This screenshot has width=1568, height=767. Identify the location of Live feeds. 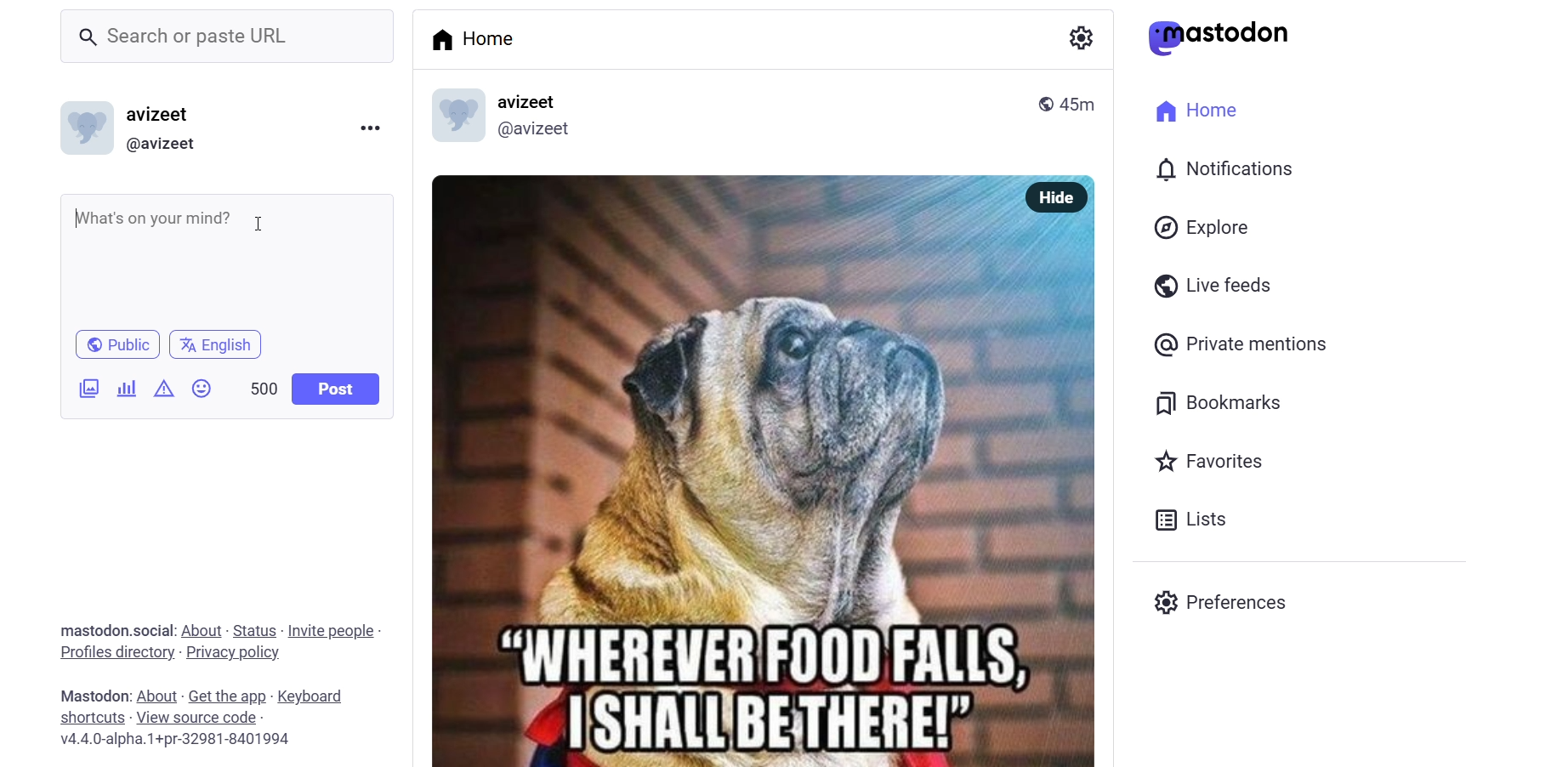
(1249, 287).